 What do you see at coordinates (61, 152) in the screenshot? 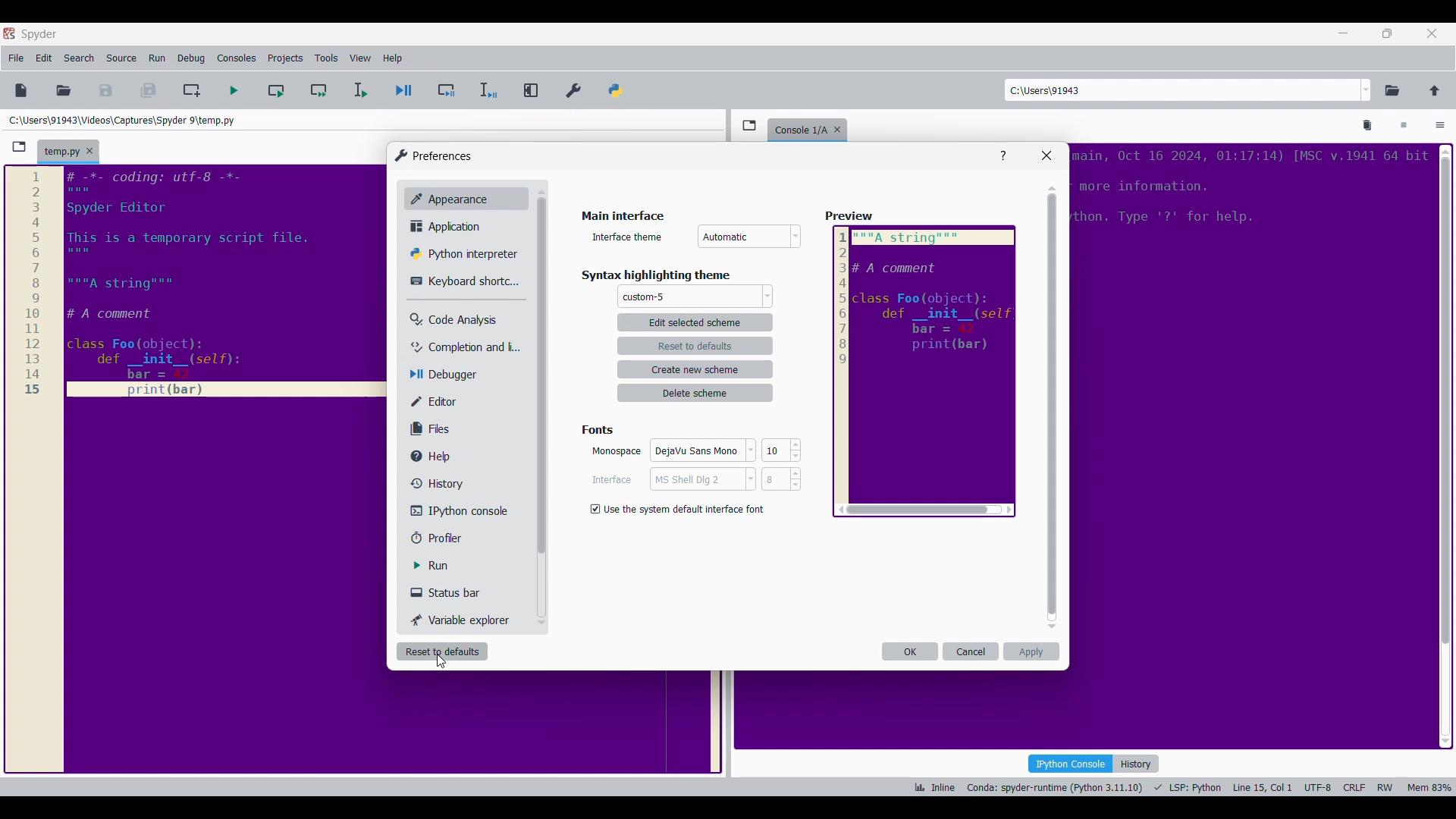
I see `Current tab` at bounding box center [61, 152].